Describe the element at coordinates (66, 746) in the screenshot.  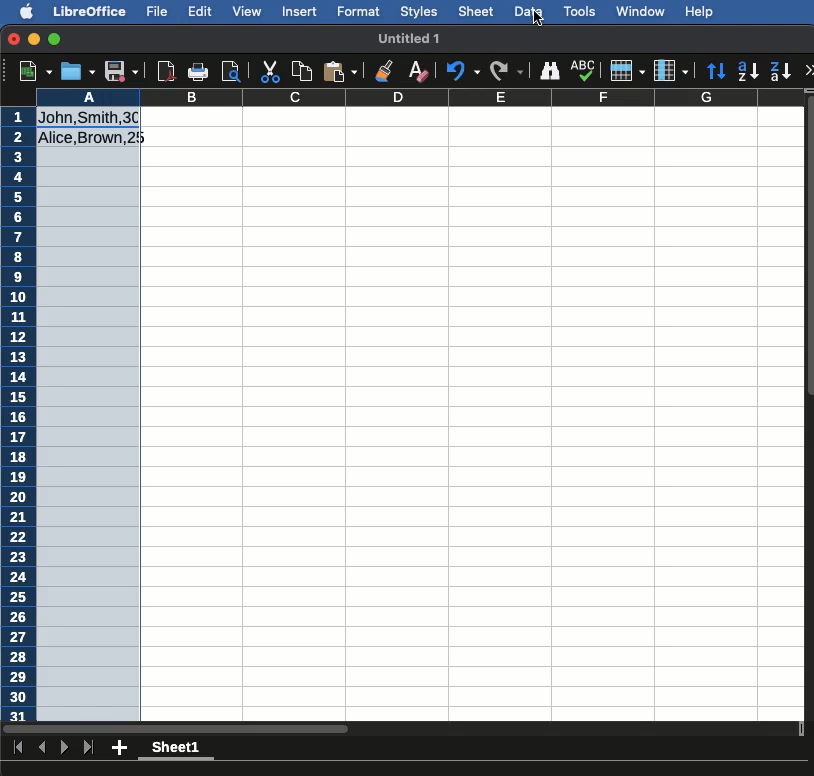
I see `Next sheet` at that location.